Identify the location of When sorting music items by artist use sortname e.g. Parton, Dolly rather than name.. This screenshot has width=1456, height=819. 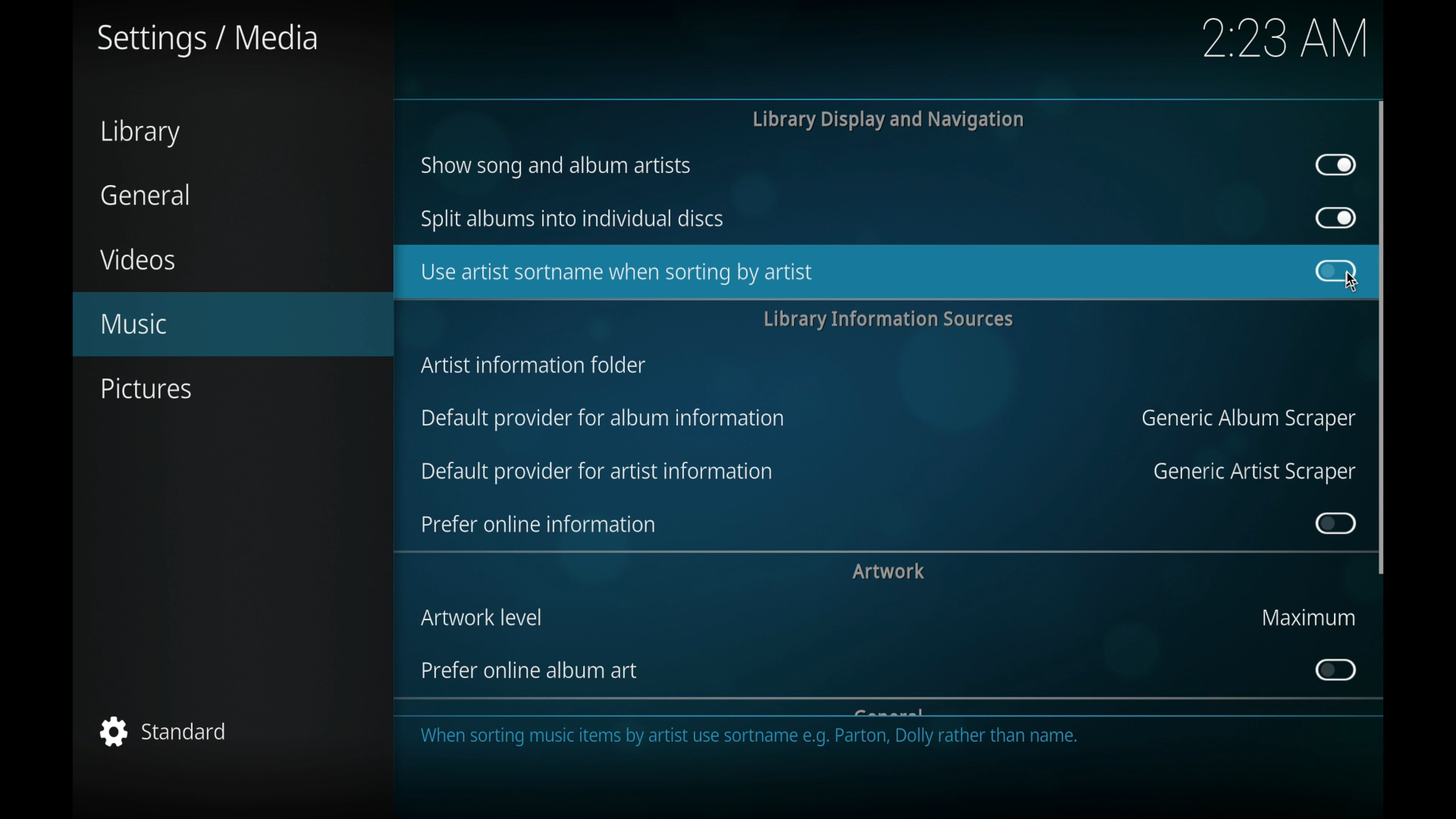
(761, 742).